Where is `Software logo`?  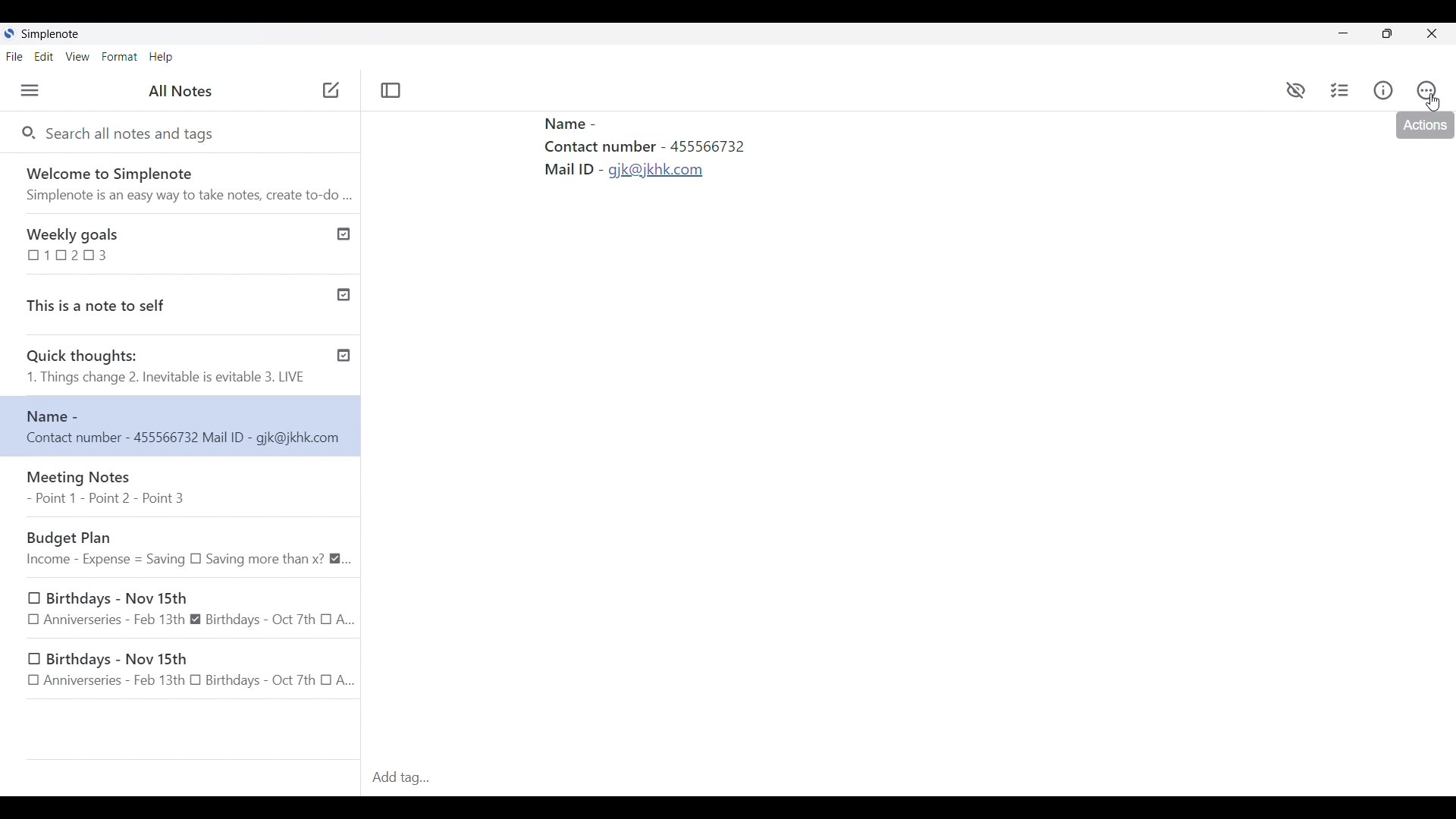
Software logo is located at coordinates (9, 33).